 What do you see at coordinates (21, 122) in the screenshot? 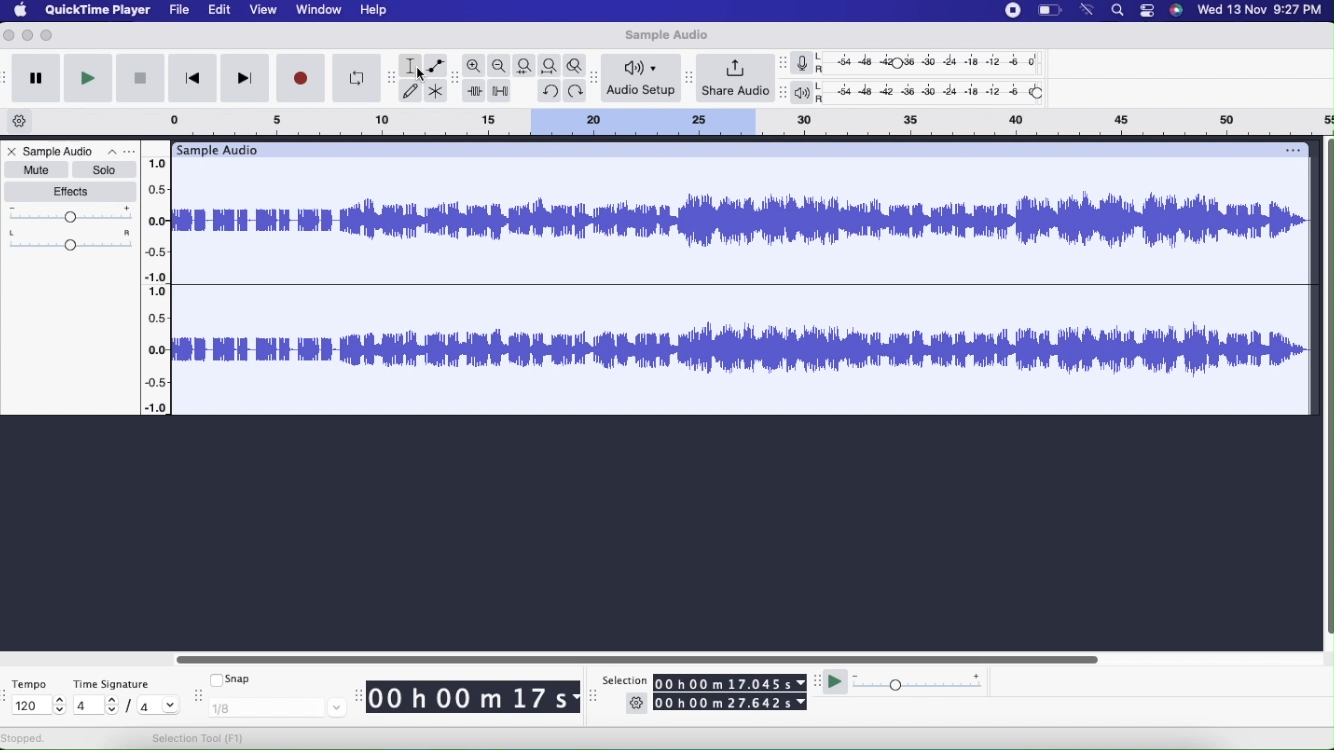
I see `Timeline Options` at bounding box center [21, 122].